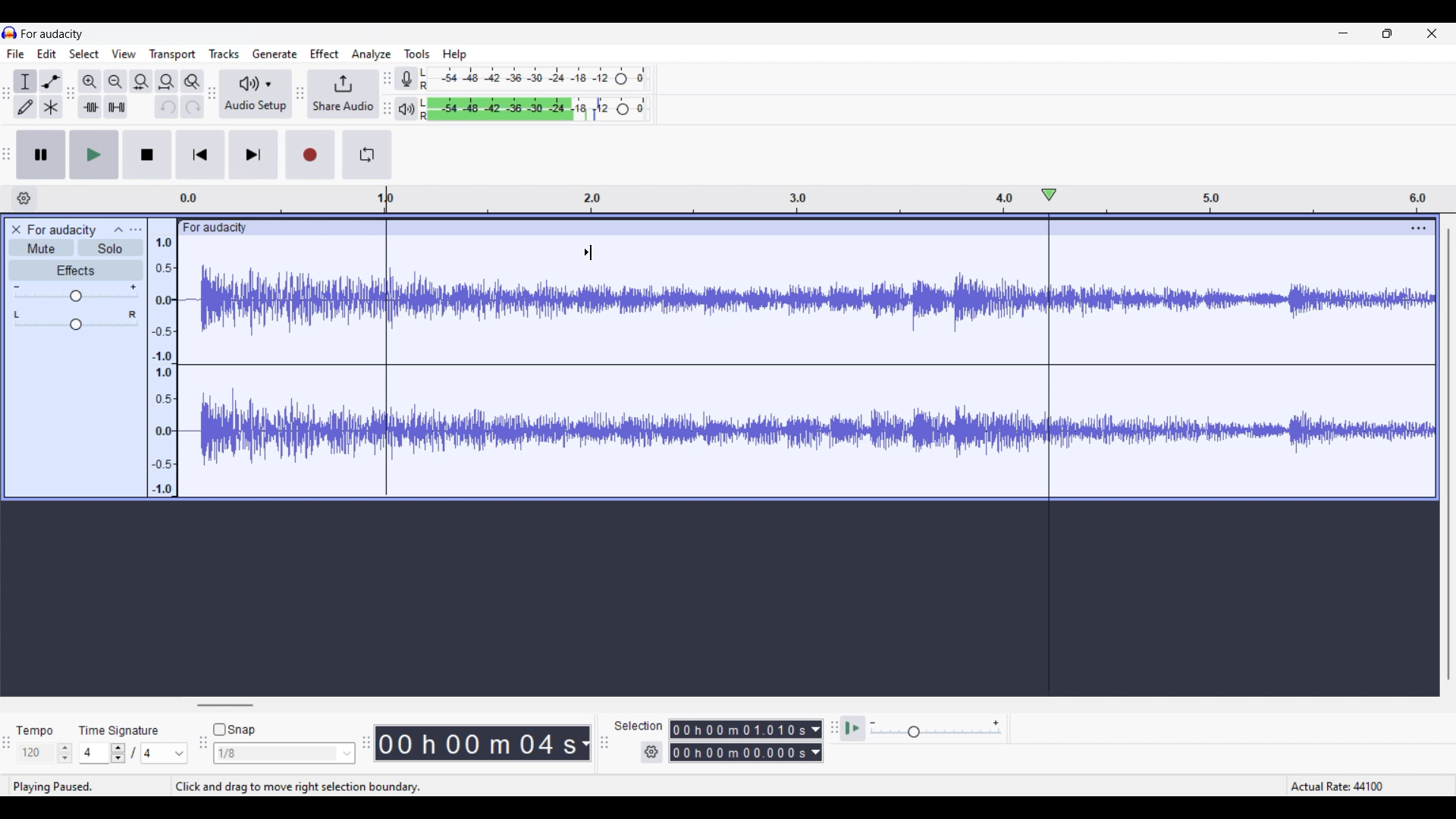 The height and width of the screenshot is (819, 1456). Describe the element at coordinates (24, 199) in the screenshot. I see `Timeline options` at that location.